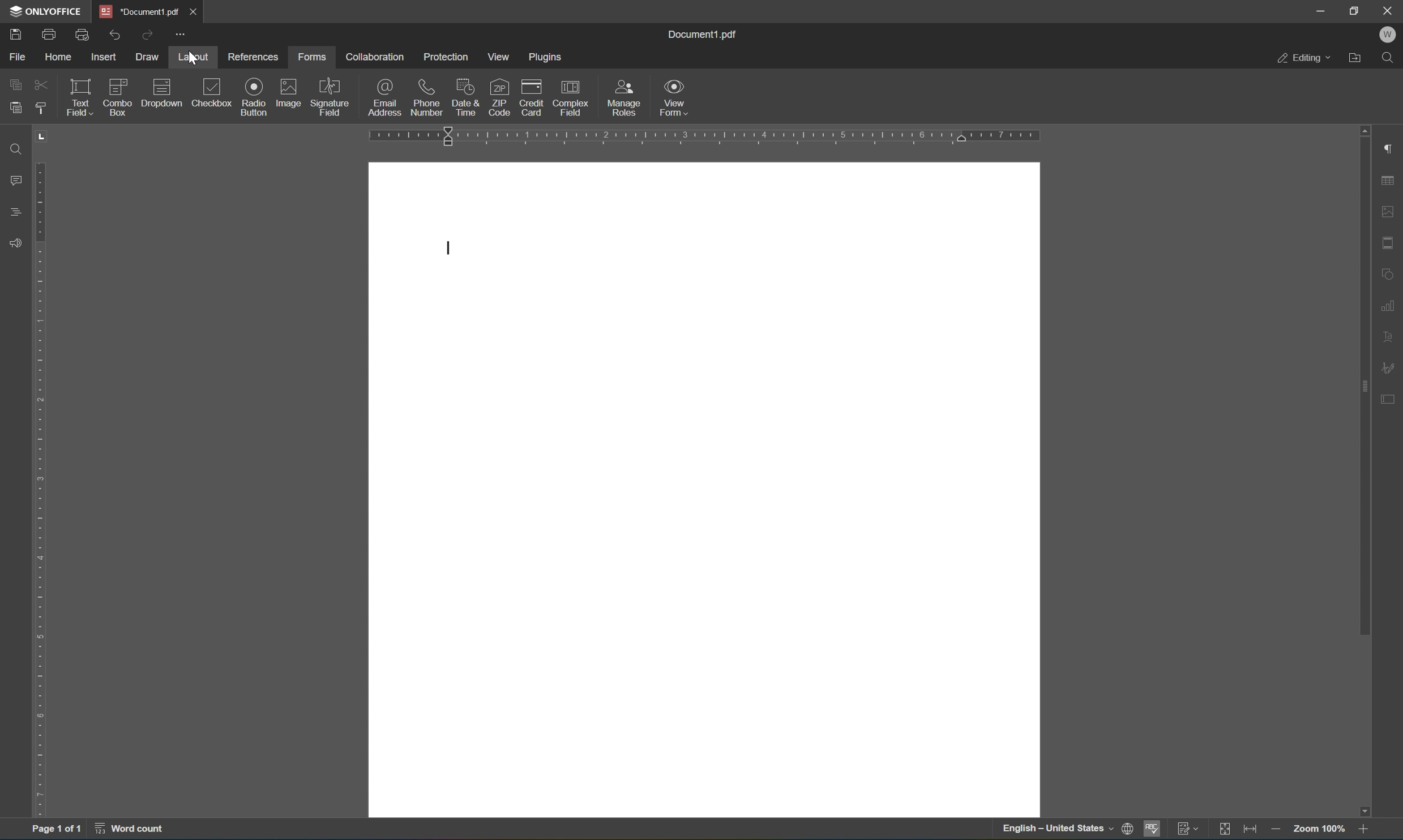 This screenshot has height=840, width=1403. I want to click on paste, so click(15, 107).